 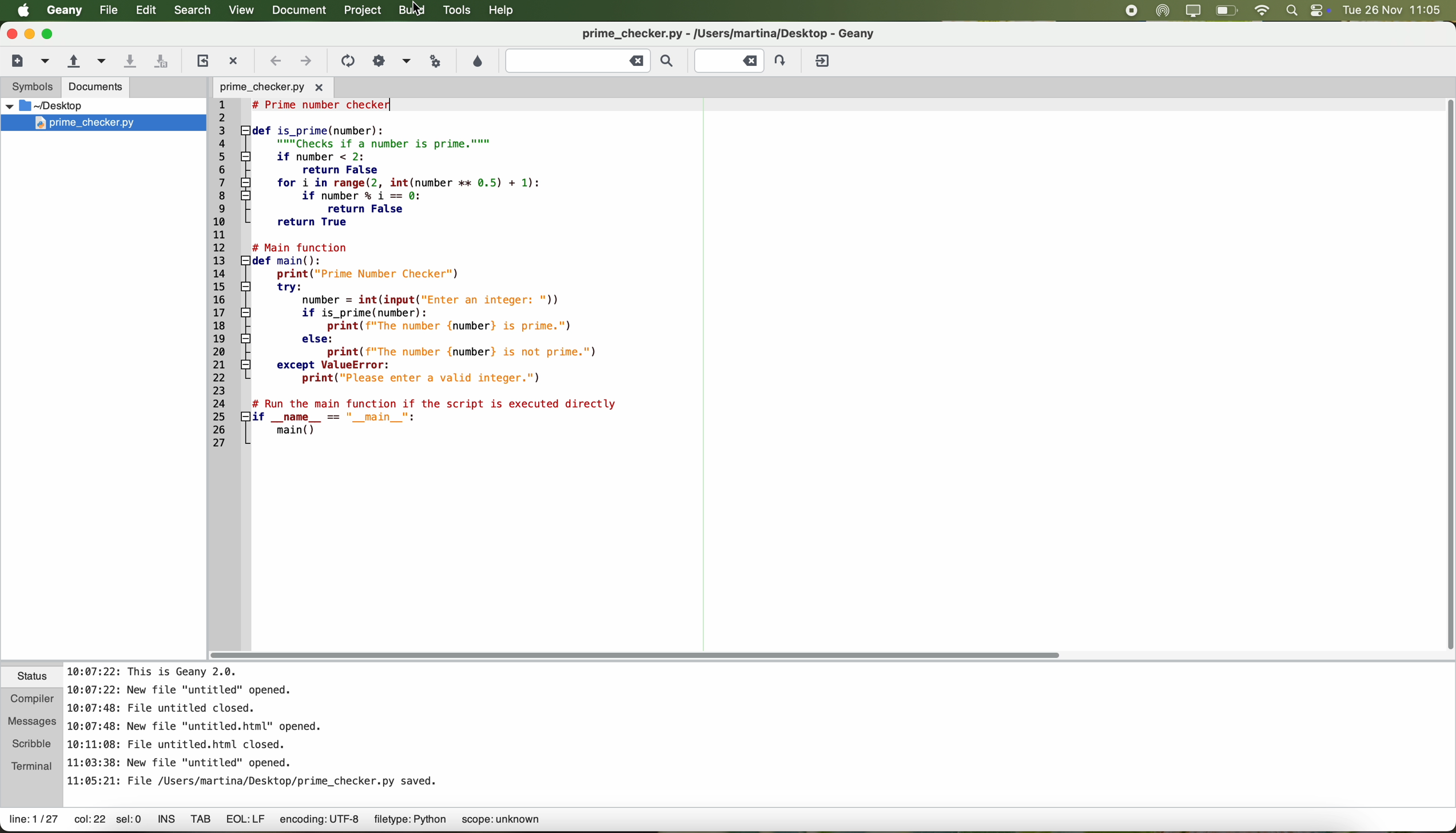 I want to click on open file, so click(x=271, y=86).